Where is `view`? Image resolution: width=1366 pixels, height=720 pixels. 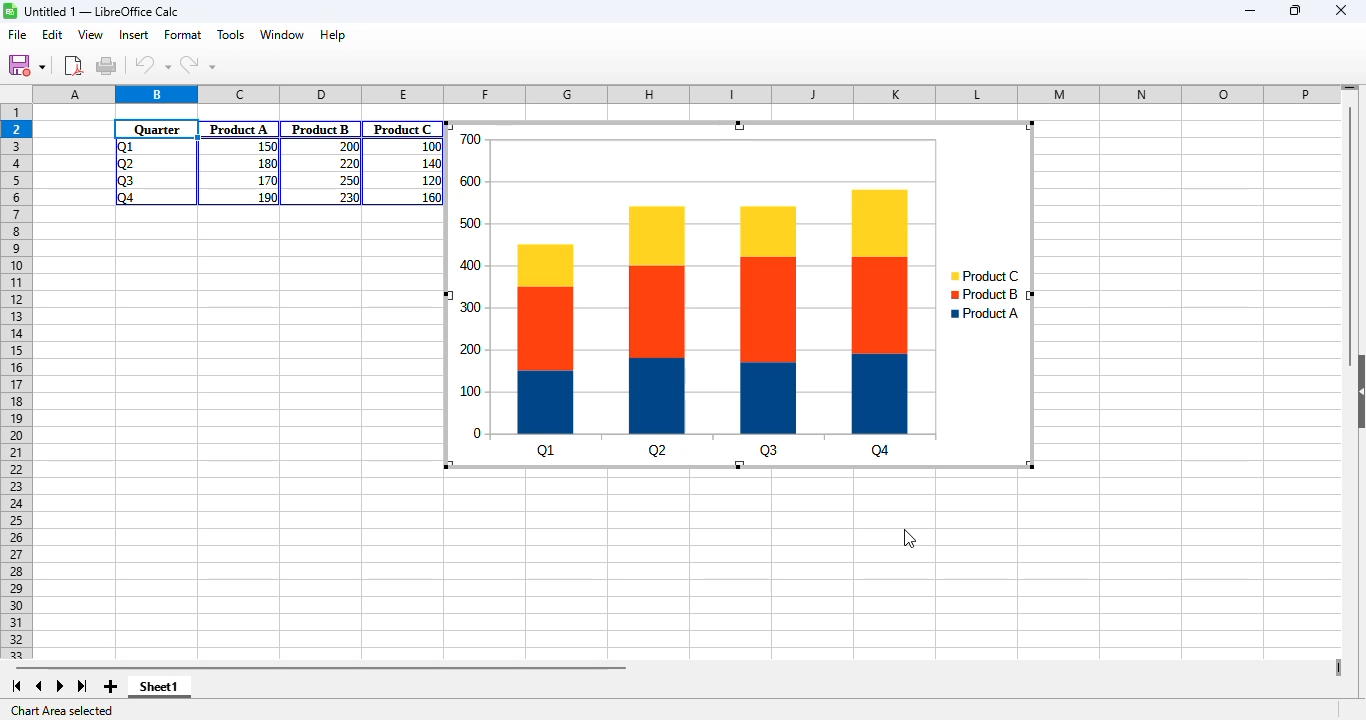 view is located at coordinates (90, 34).